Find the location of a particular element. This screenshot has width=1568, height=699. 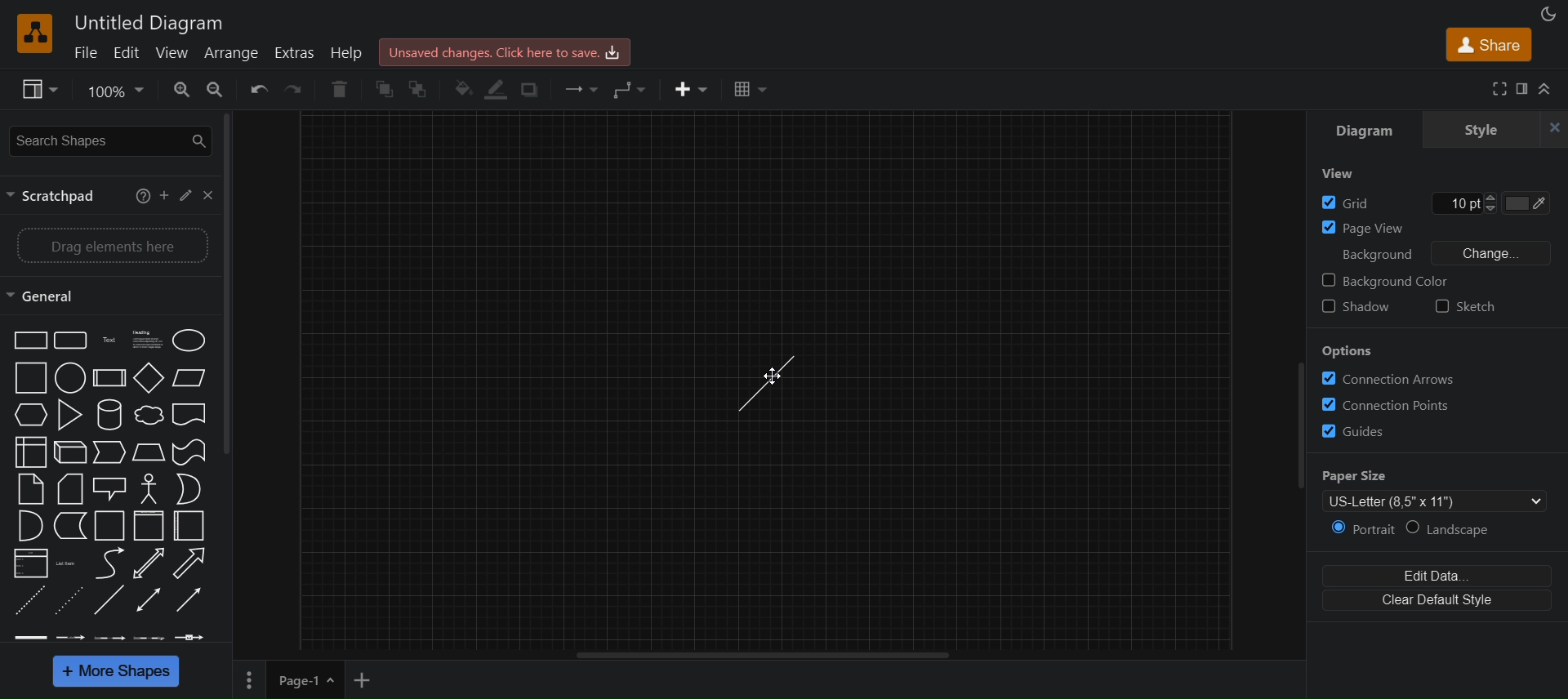

line is located at coordinates (109, 602).